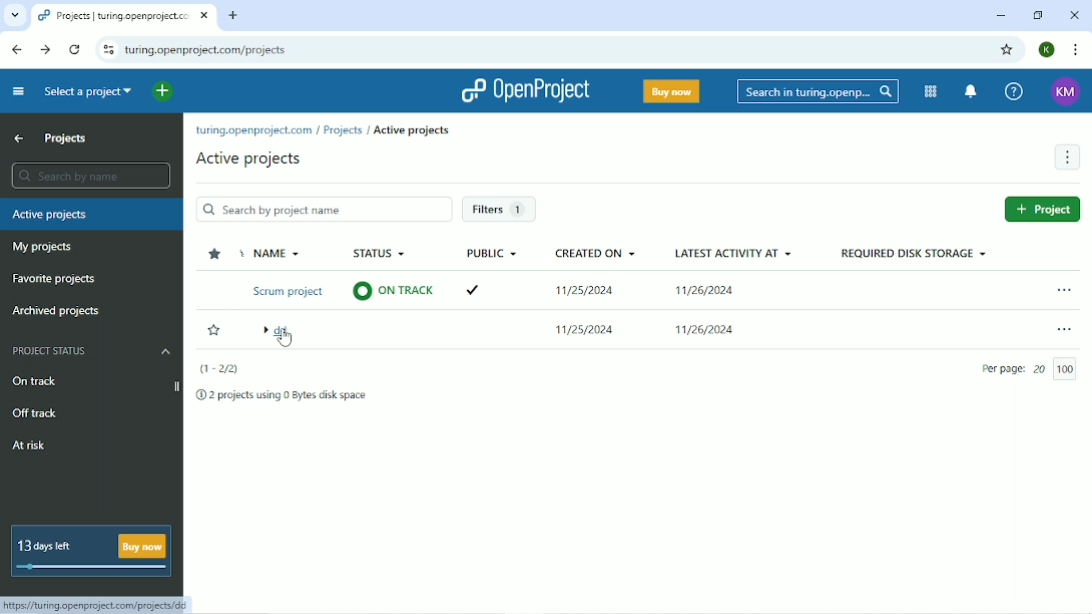 Image resolution: width=1092 pixels, height=614 pixels. I want to click on Open quick add menu, so click(164, 93).